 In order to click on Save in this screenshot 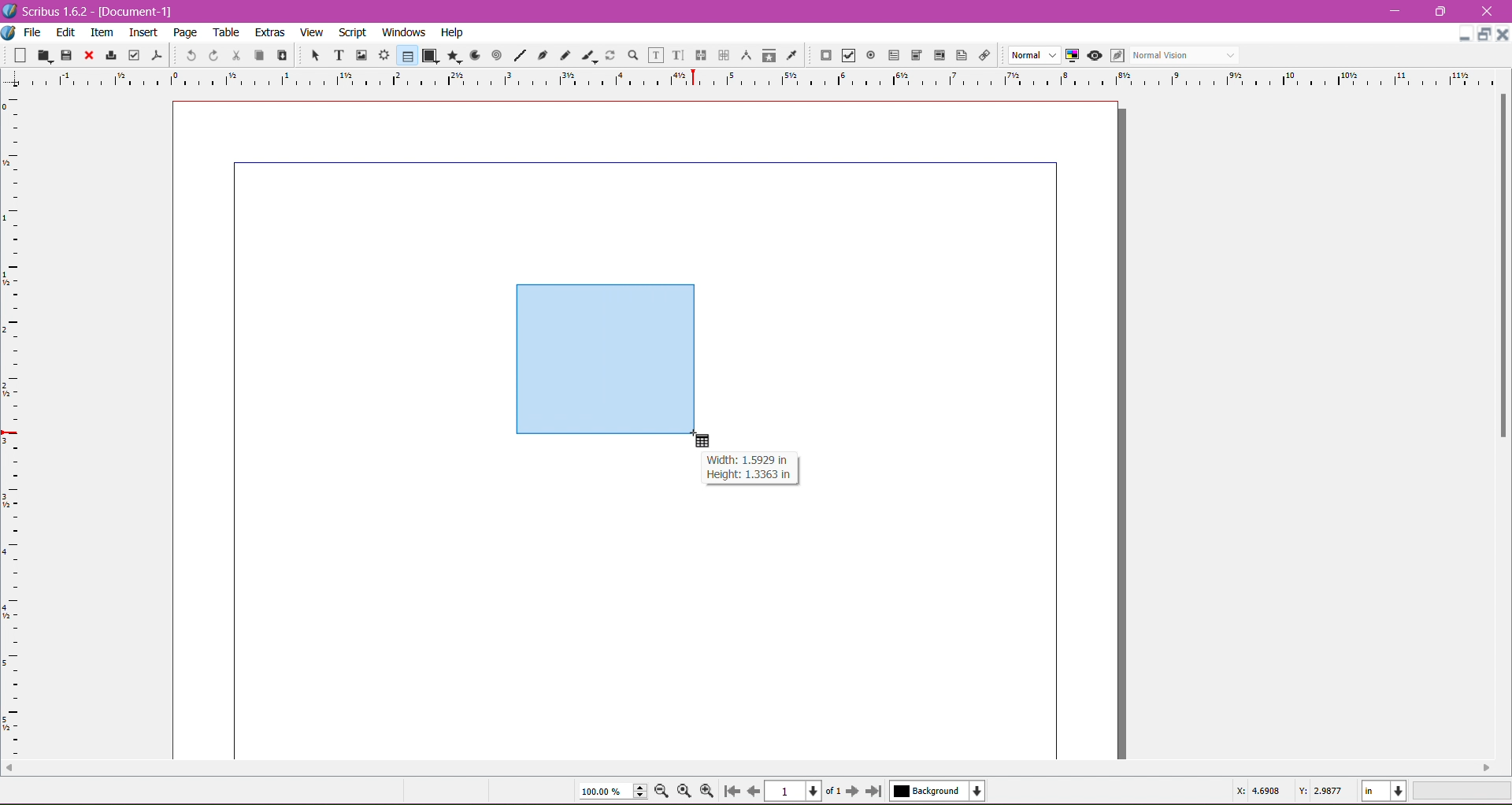, I will do `click(67, 54)`.